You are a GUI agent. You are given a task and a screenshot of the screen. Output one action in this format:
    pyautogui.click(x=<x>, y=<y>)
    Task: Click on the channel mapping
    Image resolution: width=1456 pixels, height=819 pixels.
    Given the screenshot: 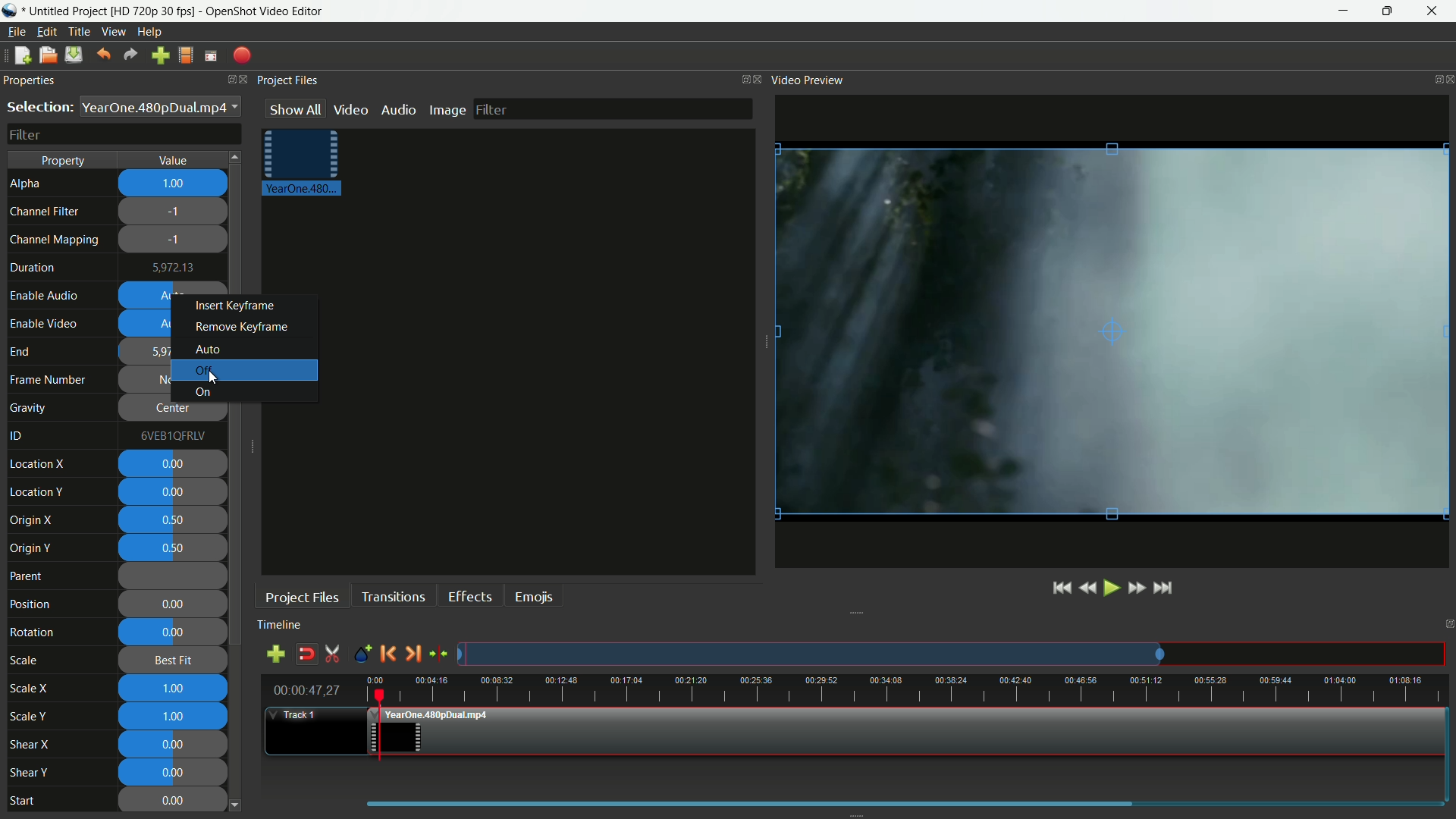 What is the action you would take?
    pyautogui.click(x=55, y=240)
    